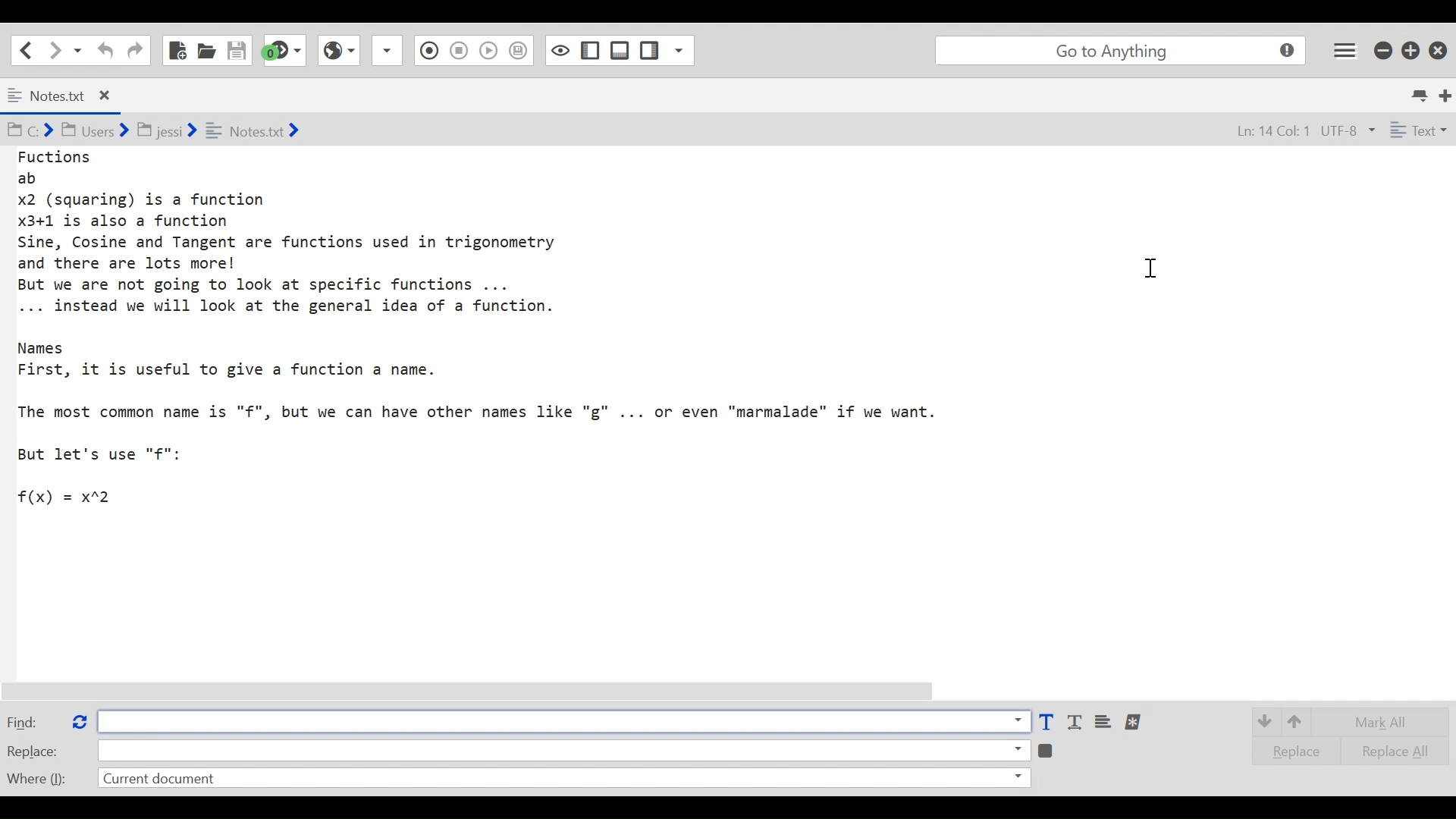  Describe the element at coordinates (1346, 49) in the screenshot. I see `Application menu` at that location.